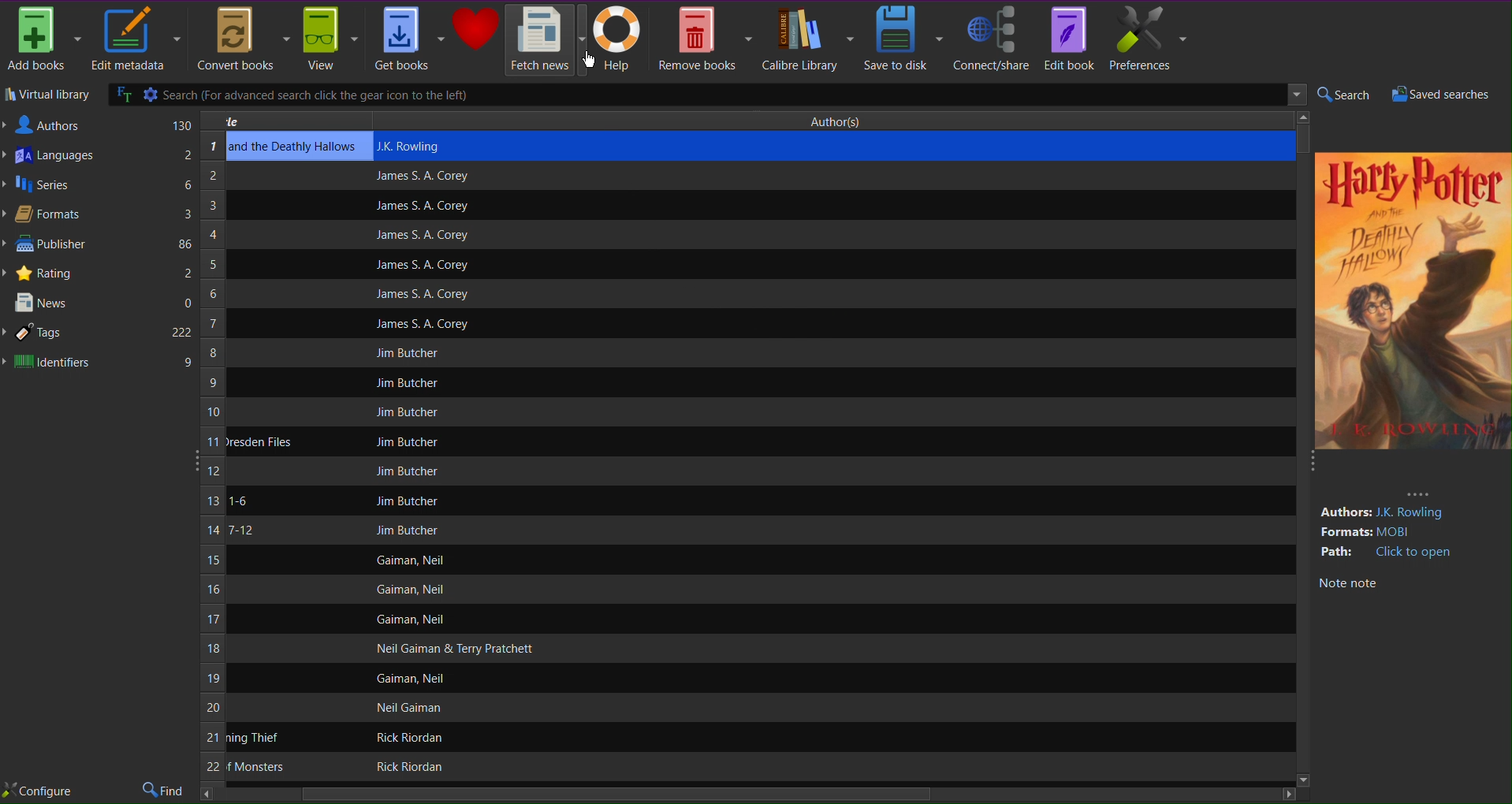  Describe the element at coordinates (404, 737) in the screenshot. I see `Rick Riordan` at that location.